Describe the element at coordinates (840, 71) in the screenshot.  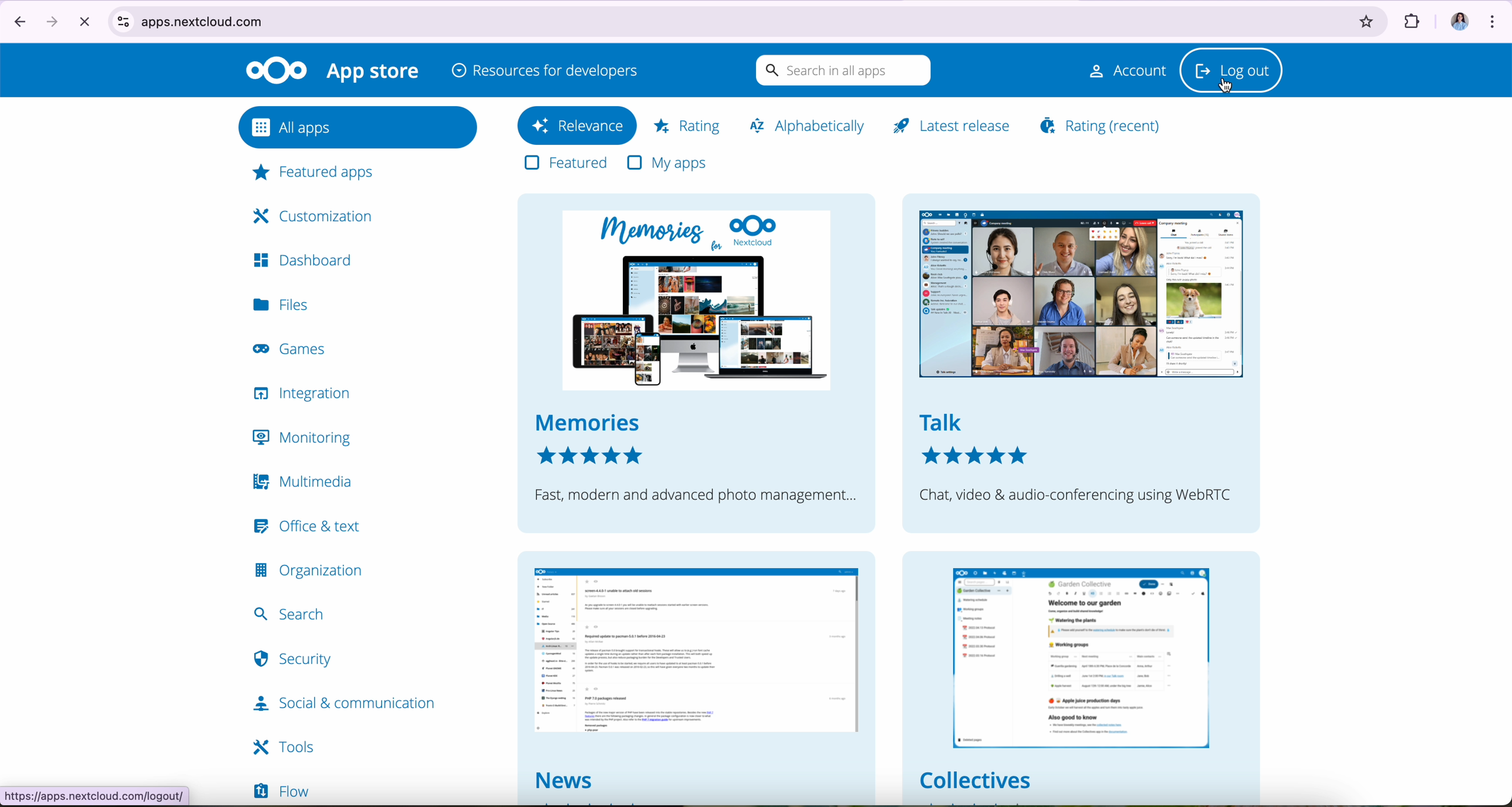
I see `search in all apps` at that location.